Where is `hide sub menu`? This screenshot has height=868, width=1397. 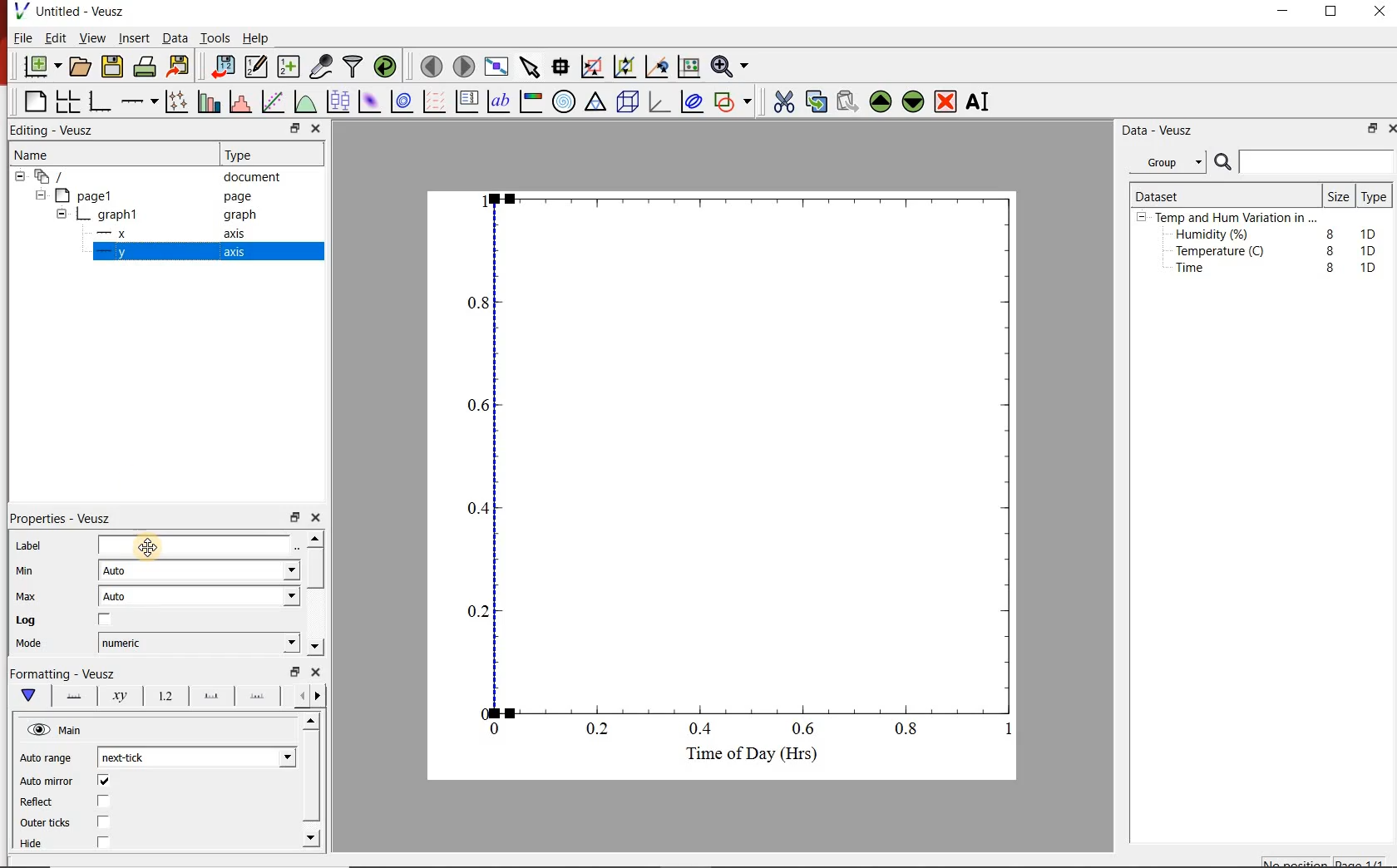 hide sub menu is located at coordinates (18, 179).